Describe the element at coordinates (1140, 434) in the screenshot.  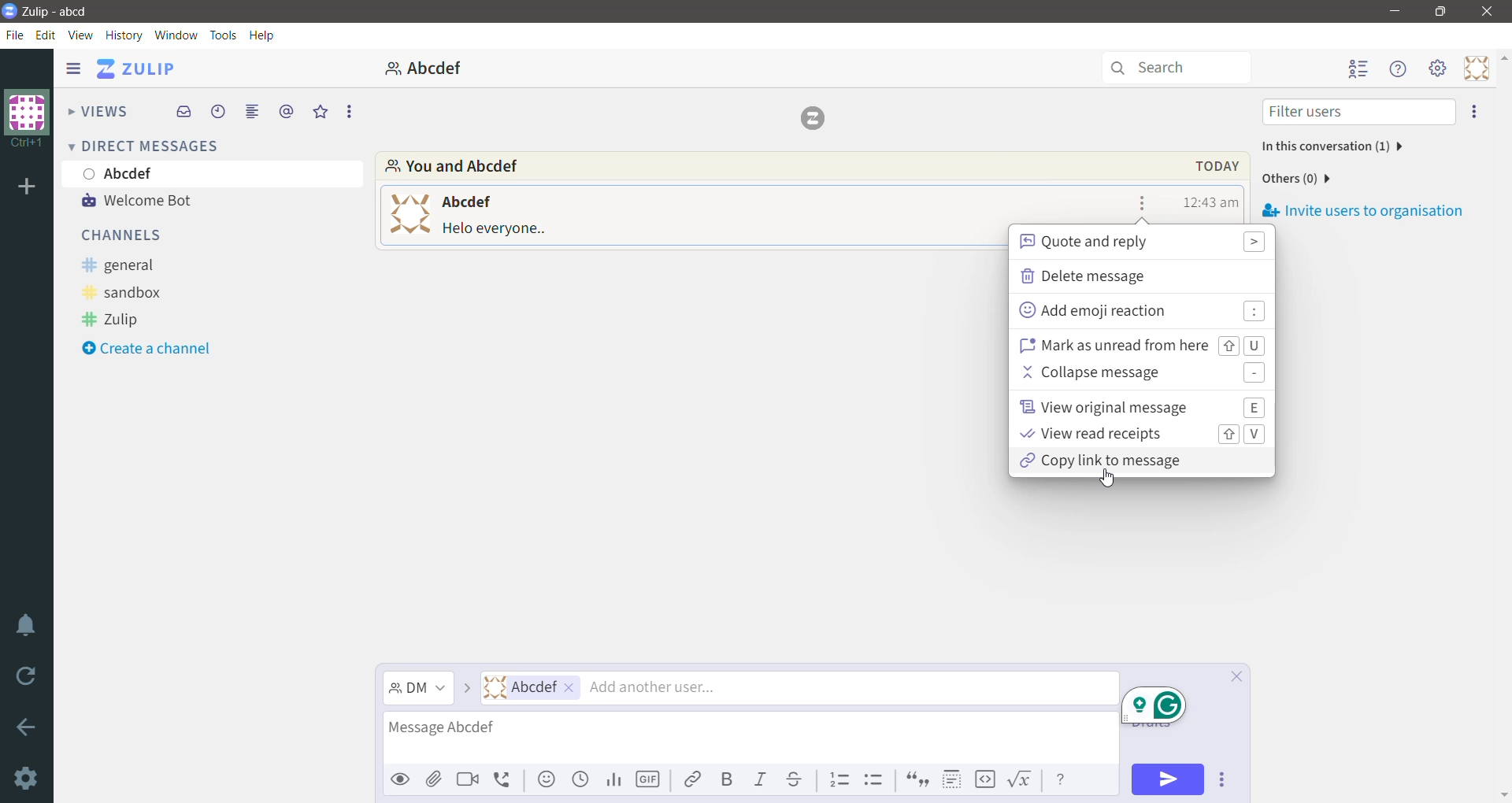
I see `View read receipts` at that location.